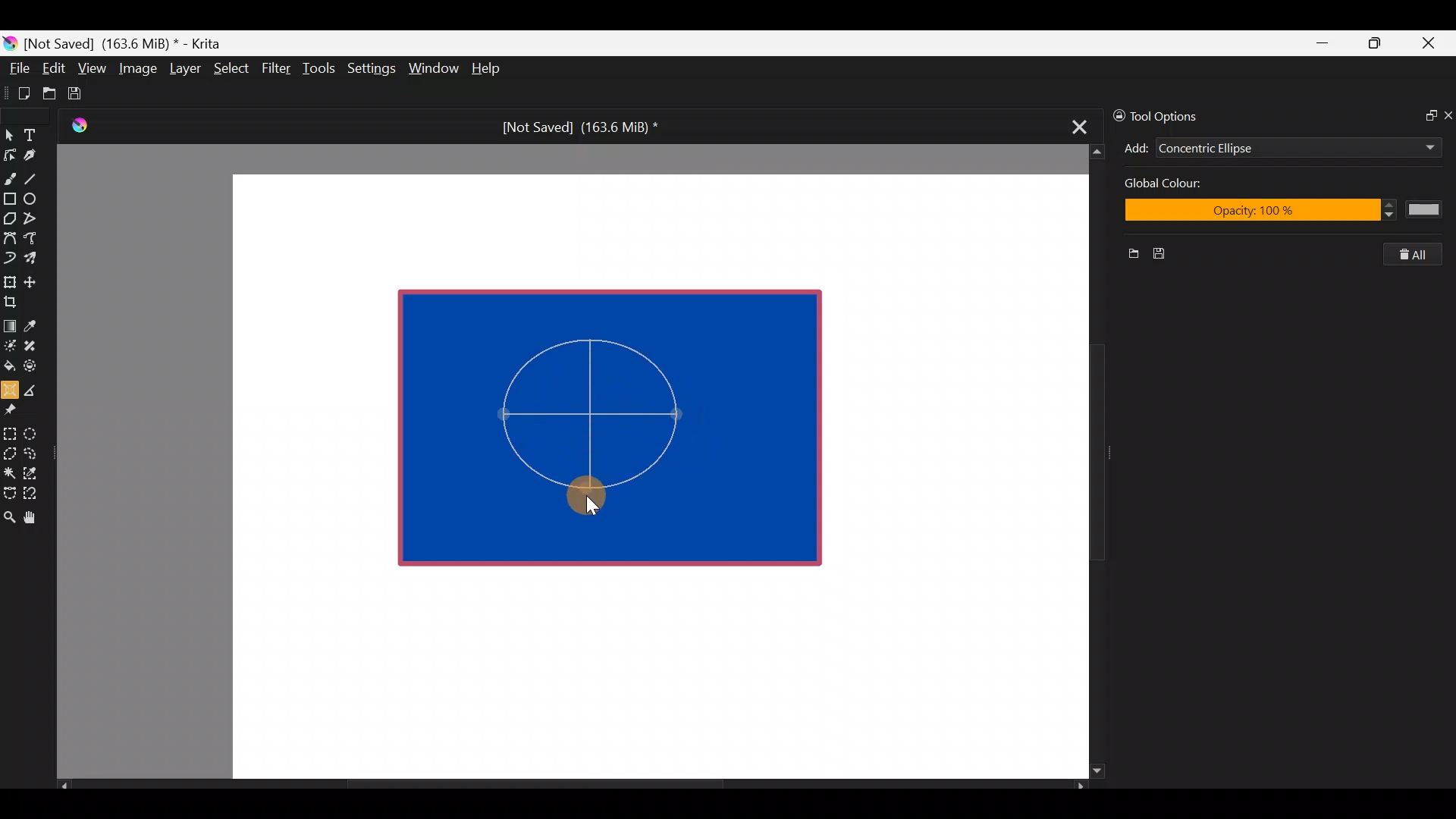 This screenshot has height=819, width=1456. What do you see at coordinates (9, 362) in the screenshot?
I see `Fill a contiguous area of colour with colour/fill a selection` at bounding box center [9, 362].